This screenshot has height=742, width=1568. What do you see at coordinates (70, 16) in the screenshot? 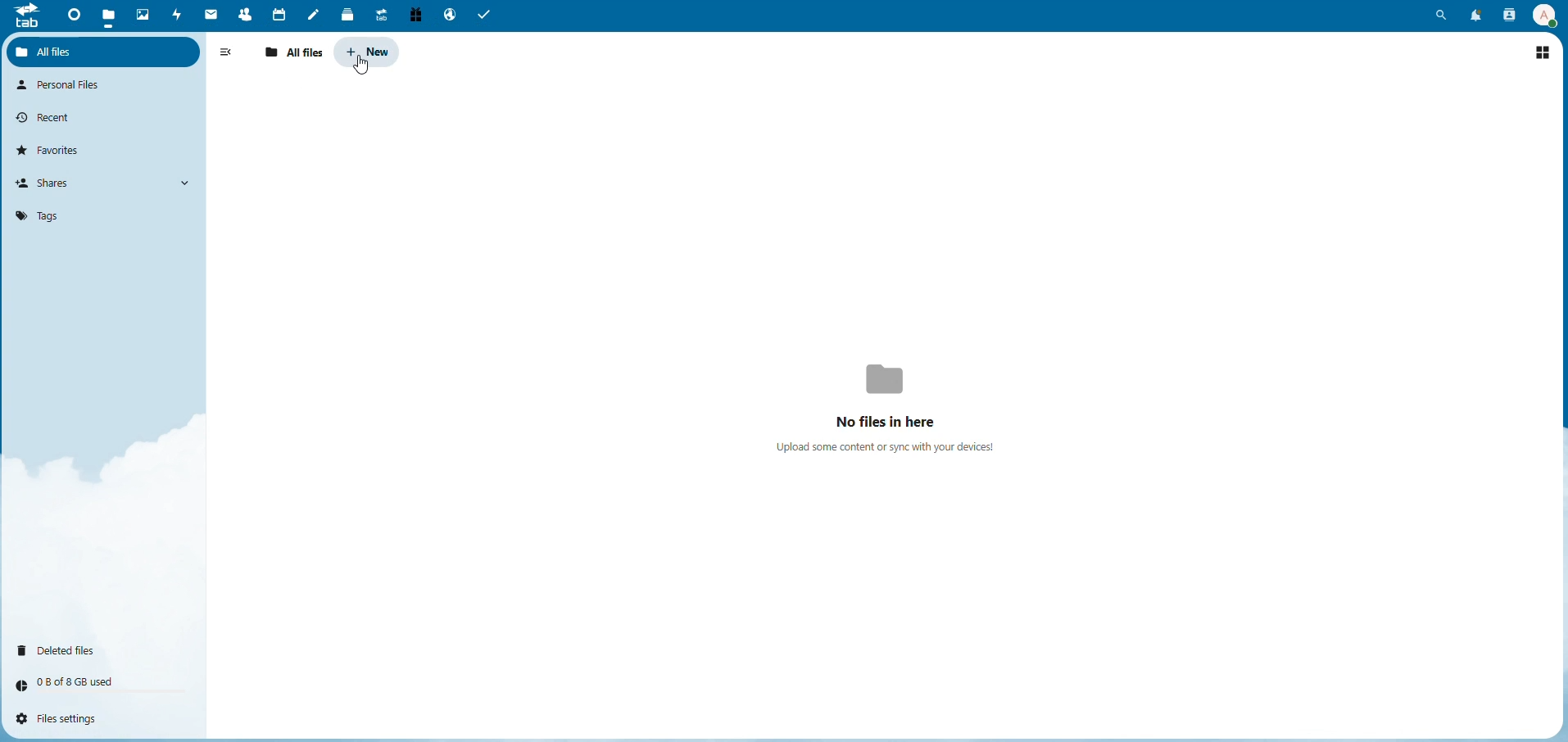
I see `dashboard` at bounding box center [70, 16].